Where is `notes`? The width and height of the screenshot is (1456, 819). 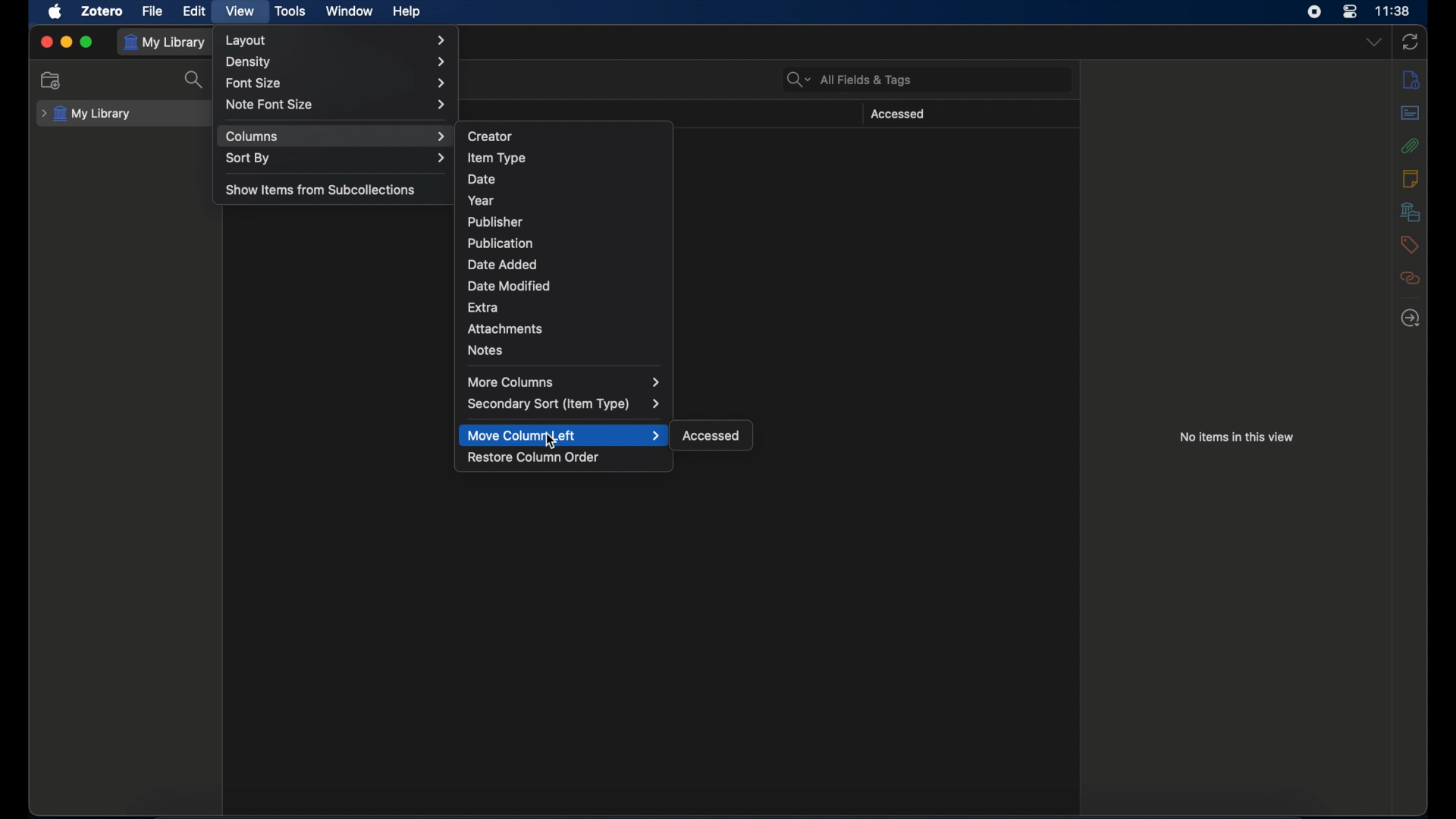
notes is located at coordinates (1412, 178).